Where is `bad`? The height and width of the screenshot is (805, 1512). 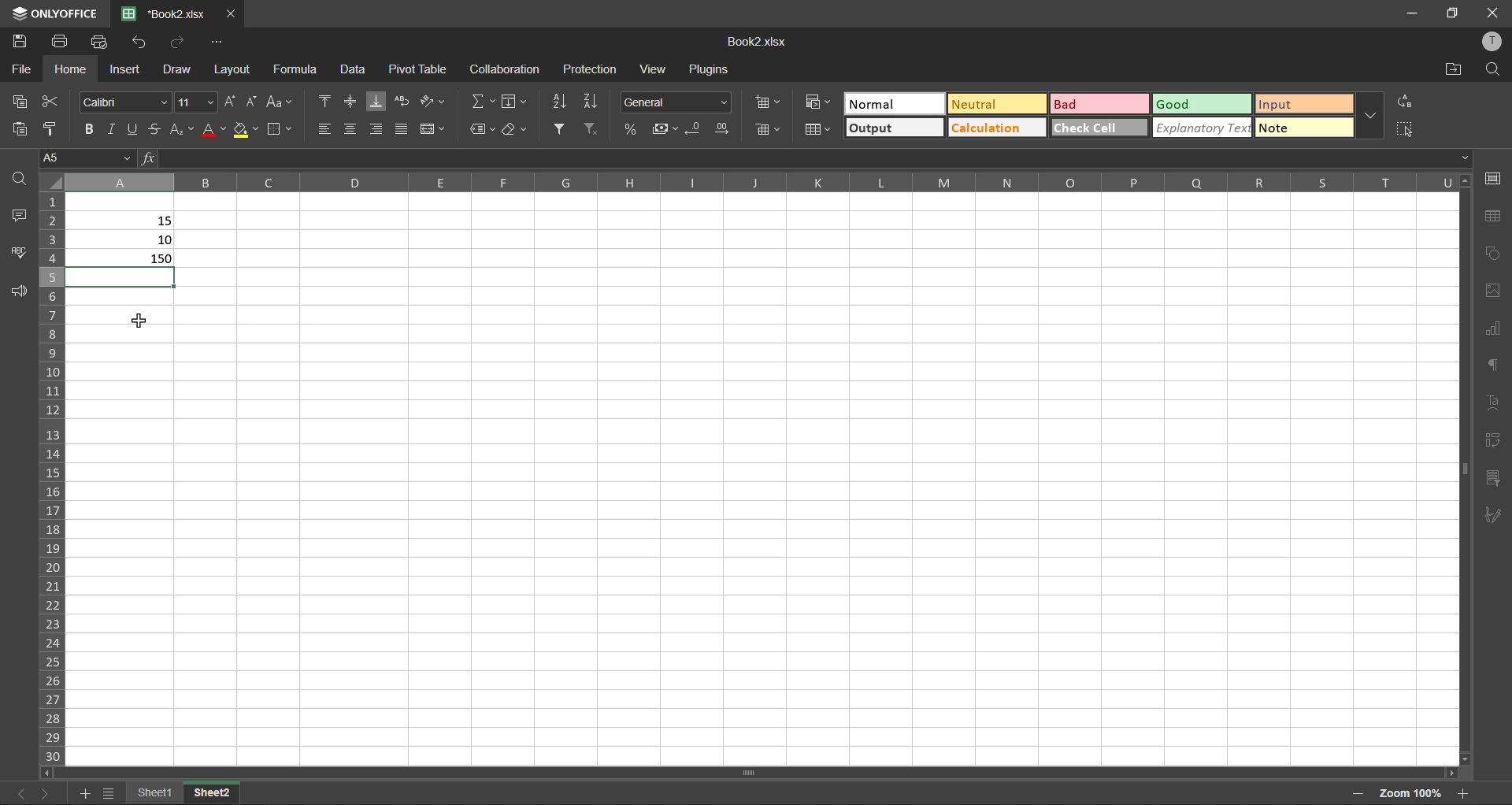 bad is located at coordinates (1099, 104).